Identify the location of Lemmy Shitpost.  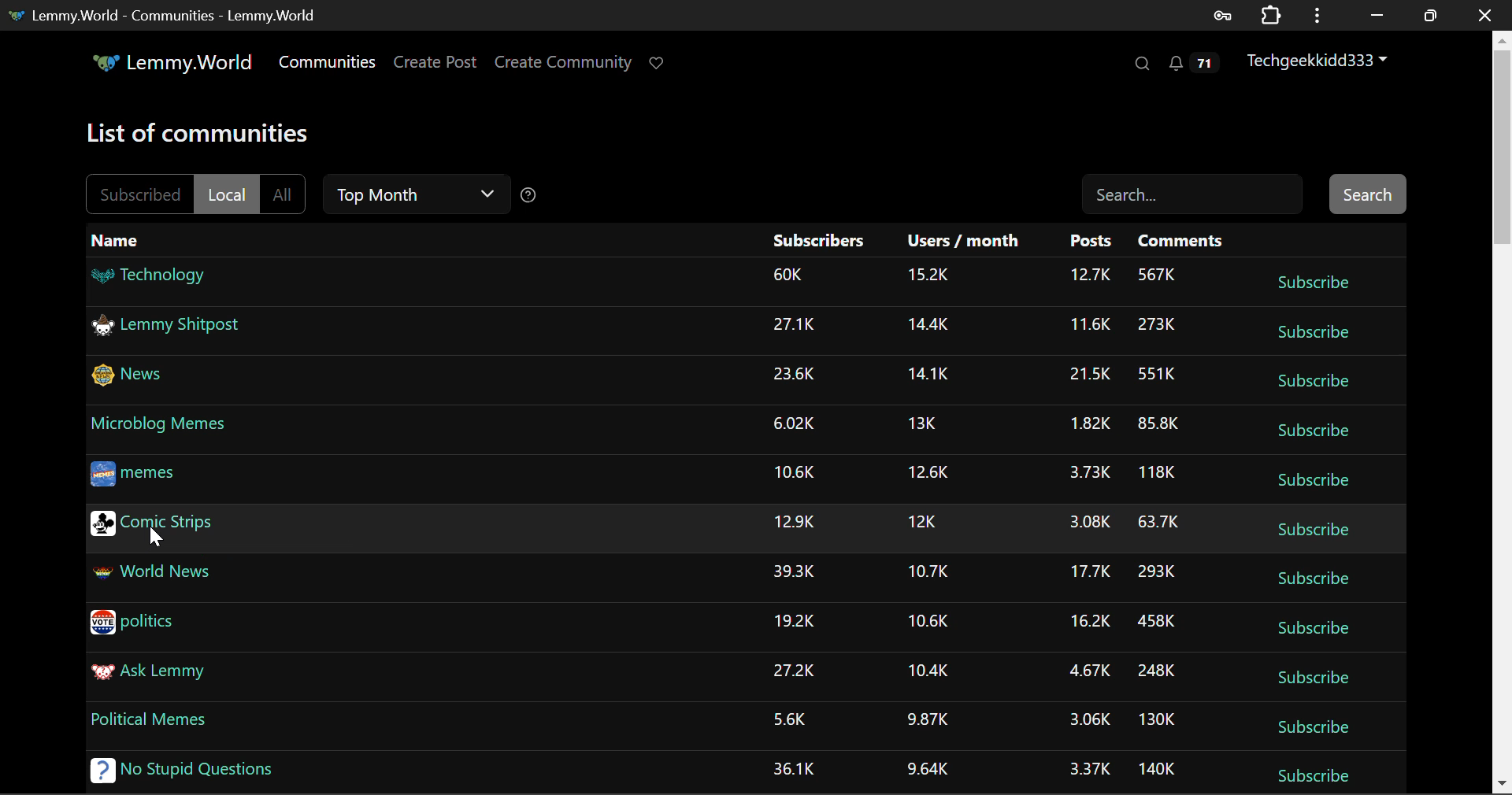
(169, 330).